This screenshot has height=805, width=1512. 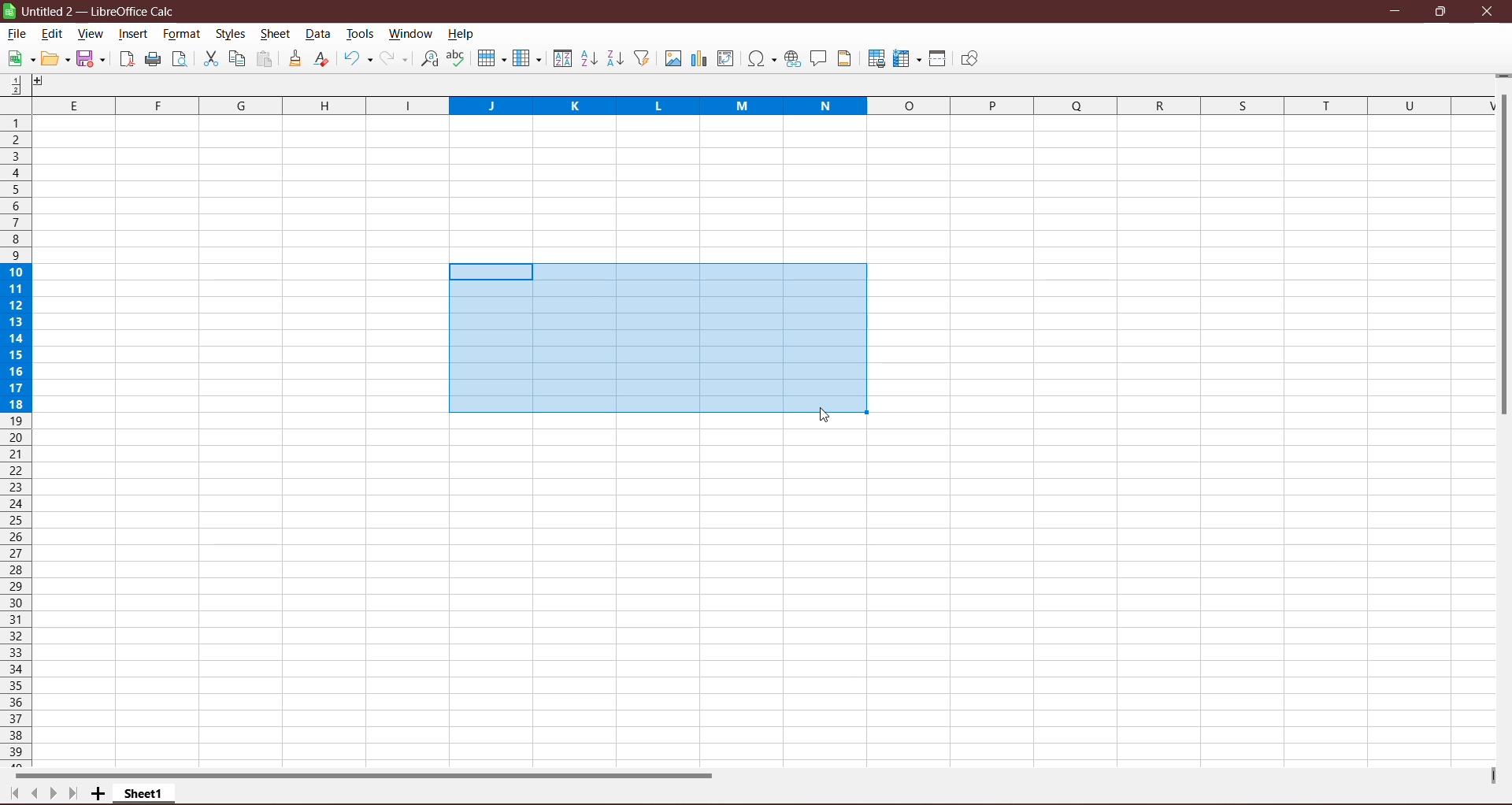 I want to click on Save, so click(x=93, y=60).